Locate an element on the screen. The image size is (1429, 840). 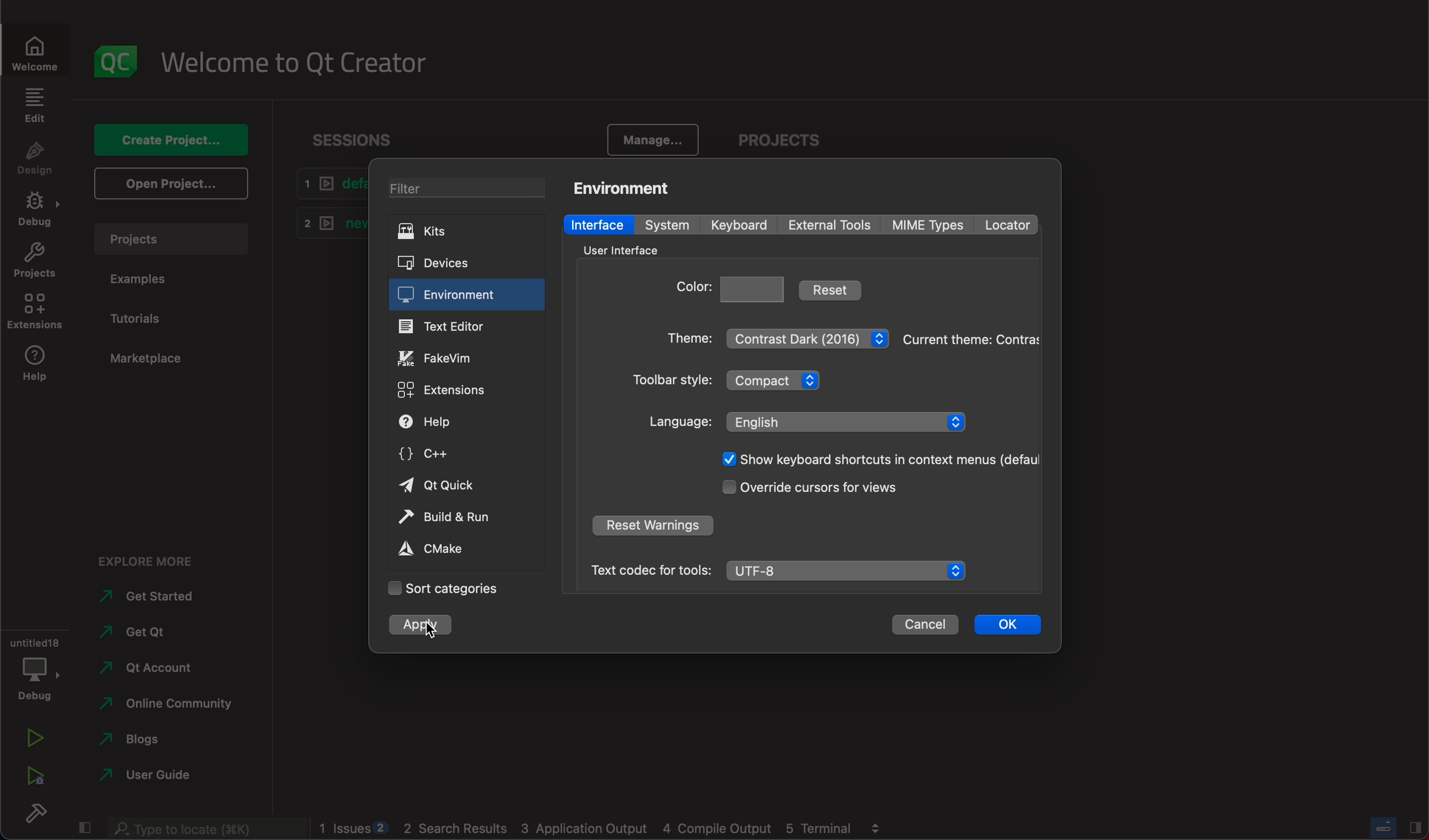
cursor is located at coordinates (429, 629).